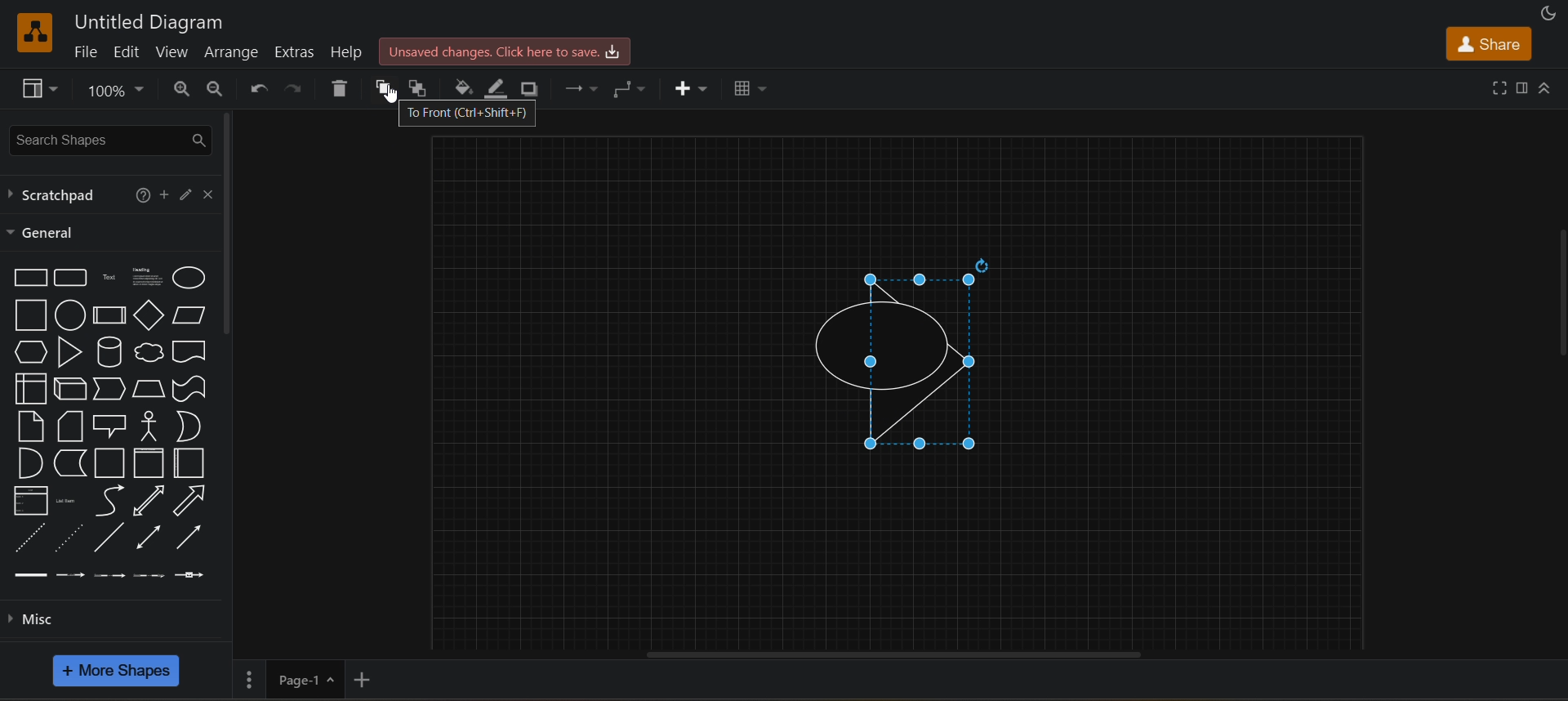  What do you see at coordinates (31, 499) in the screenshot?
I see `list` at bounding box center [31, 499].